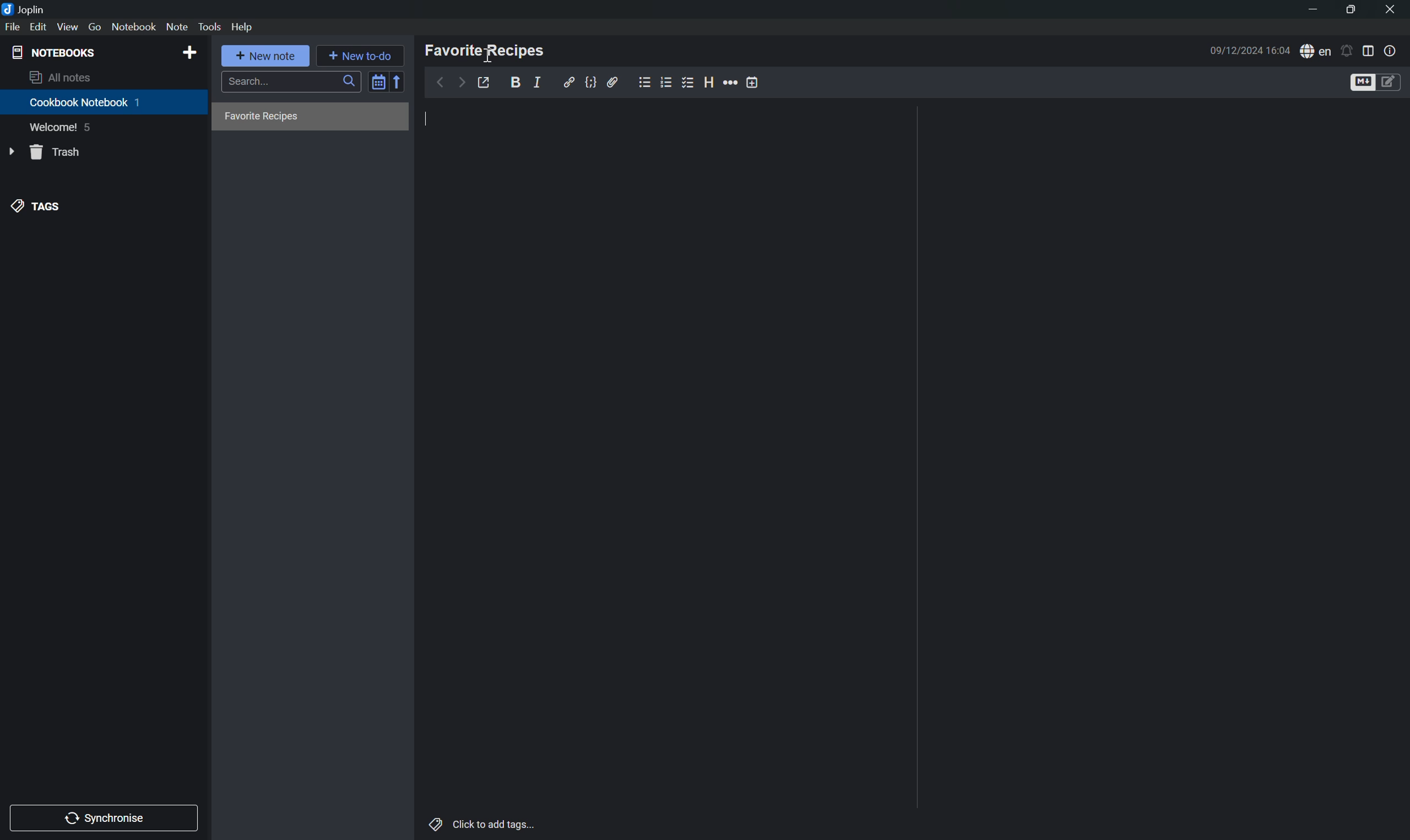 The width and height of the screenshot is (1410, 840). What do you see at coordinates (484, 826) in the screenshot?
I see `Click to add tags...` at bounding box center [484, 826].